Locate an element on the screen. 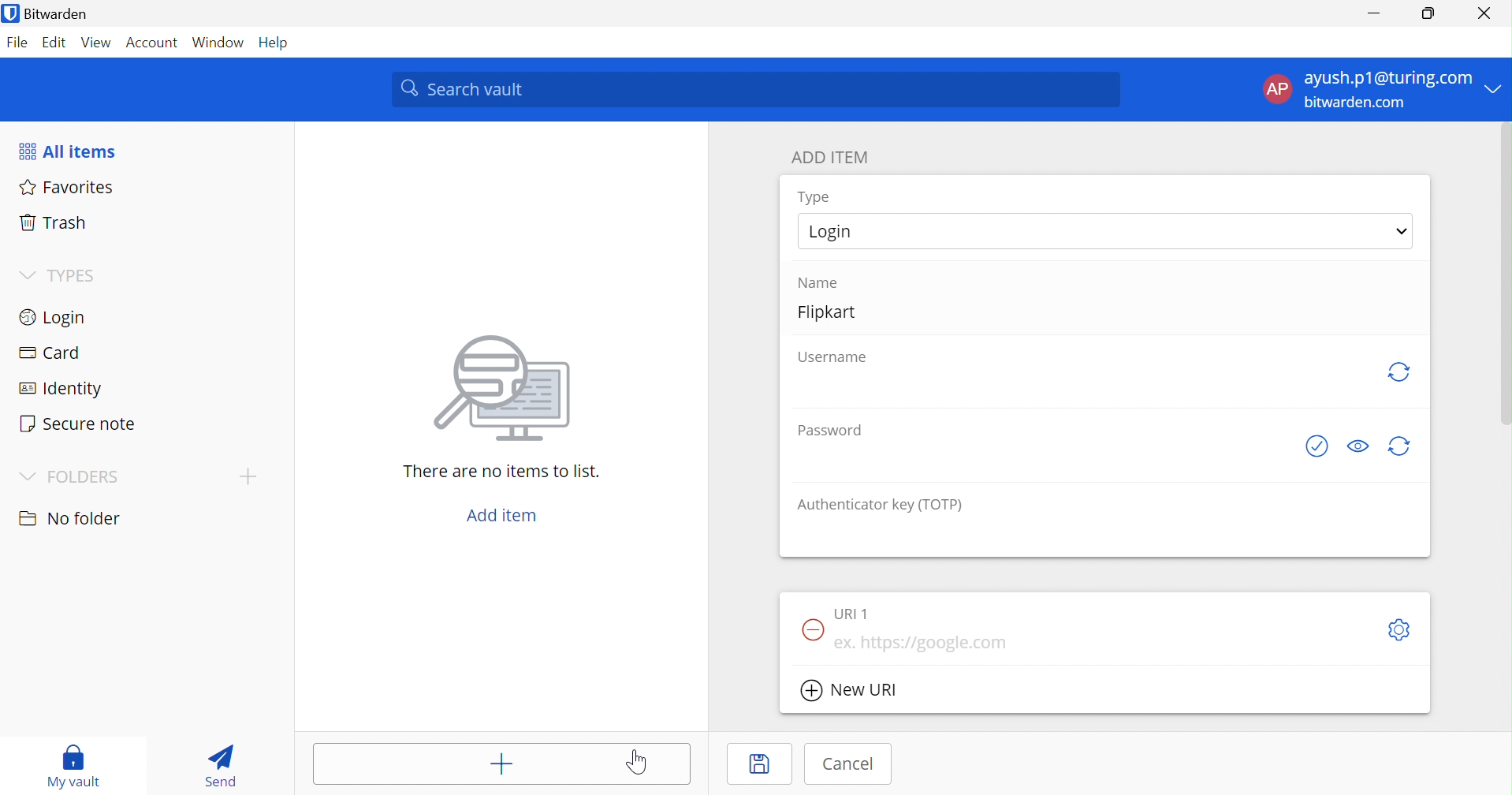  Add item is located at coordinates (503, 516).